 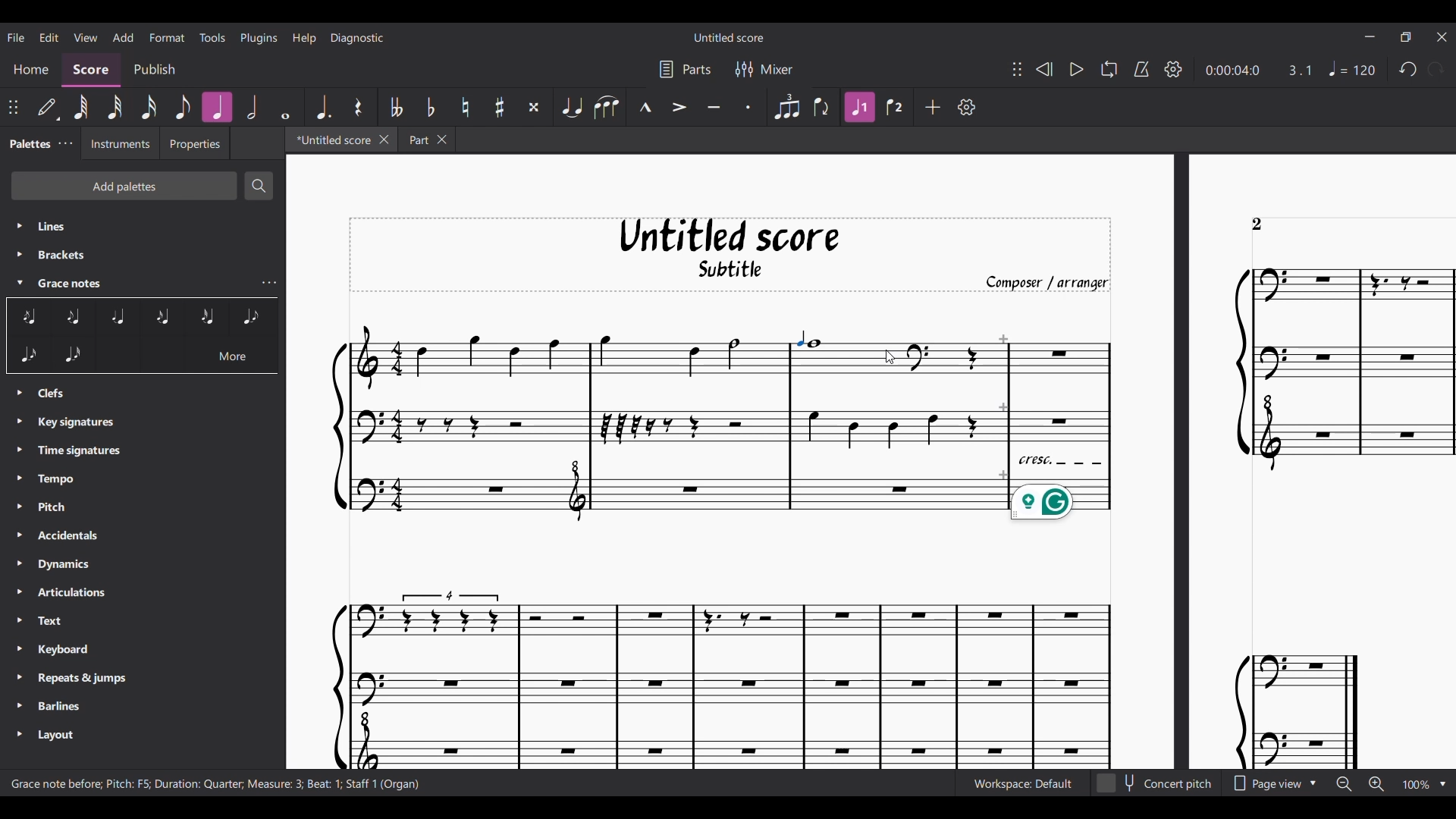 I want to click on Zoom in, so click(x=1376, y=784).